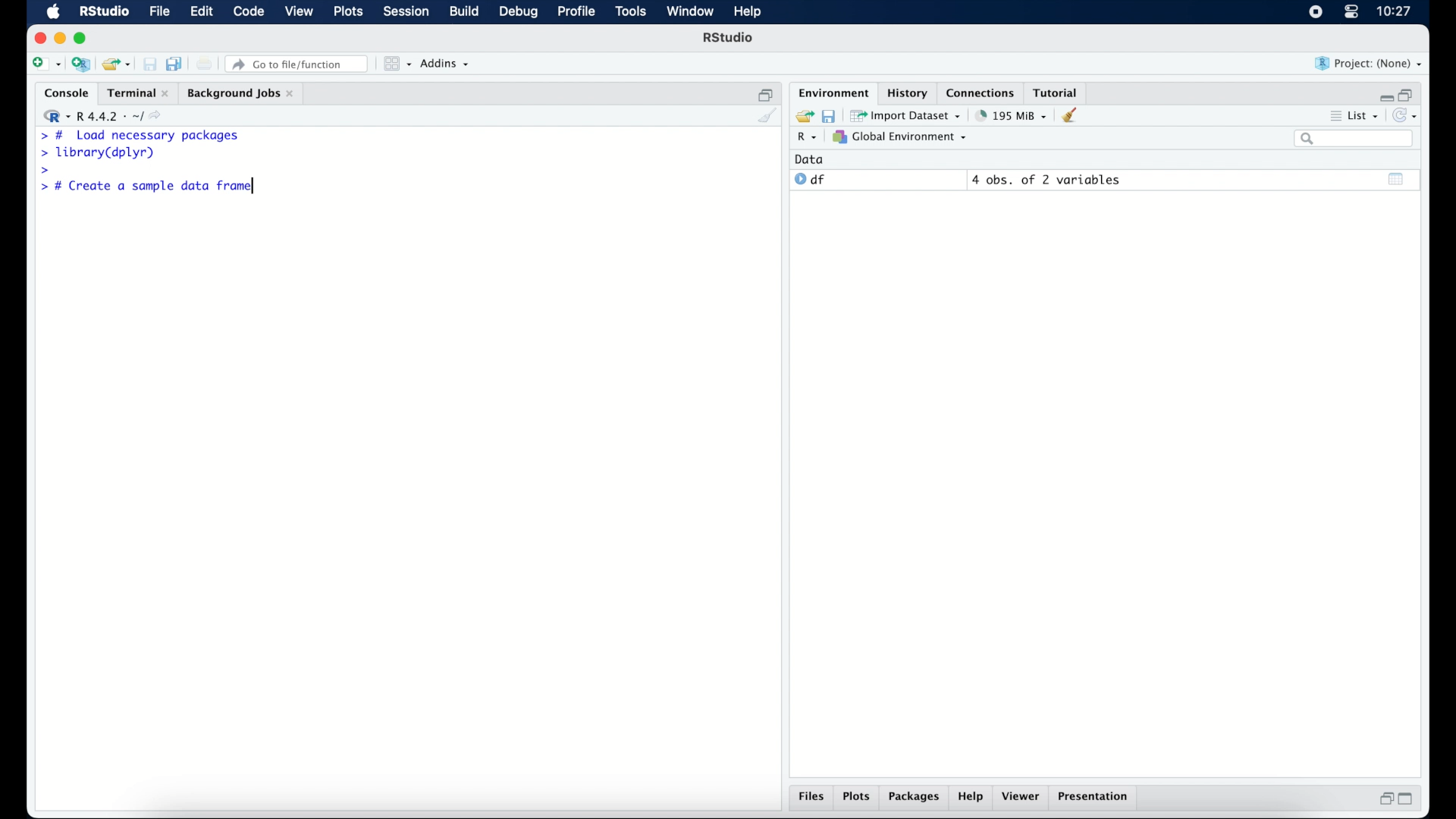 This screenshot has height=819, width=1456. Describe the element at coordinates (350, 13) in the screenshot. I see `plots` at that location.